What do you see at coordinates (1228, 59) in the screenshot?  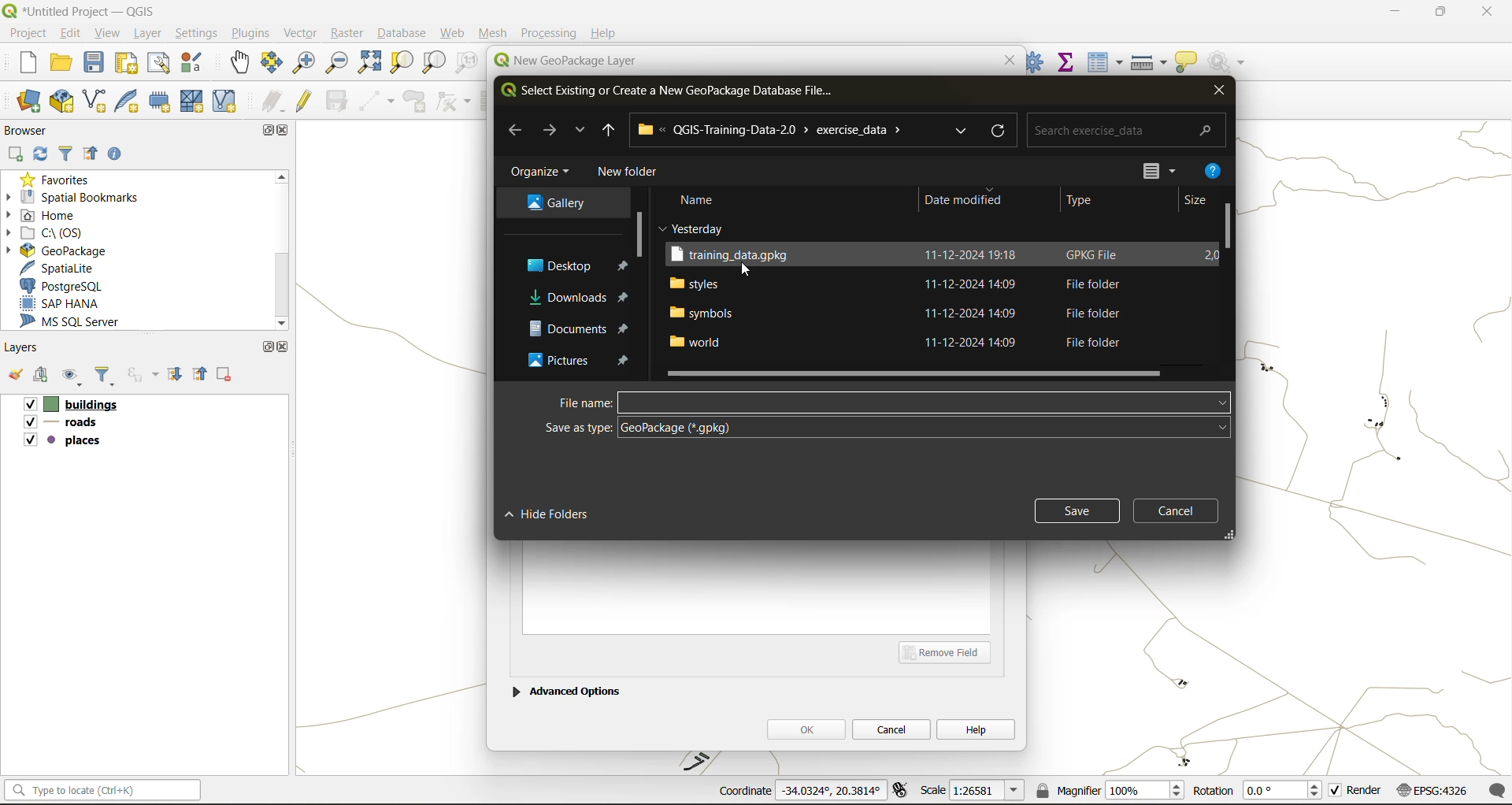 I see `no action` at bounding box center [1228, 59].